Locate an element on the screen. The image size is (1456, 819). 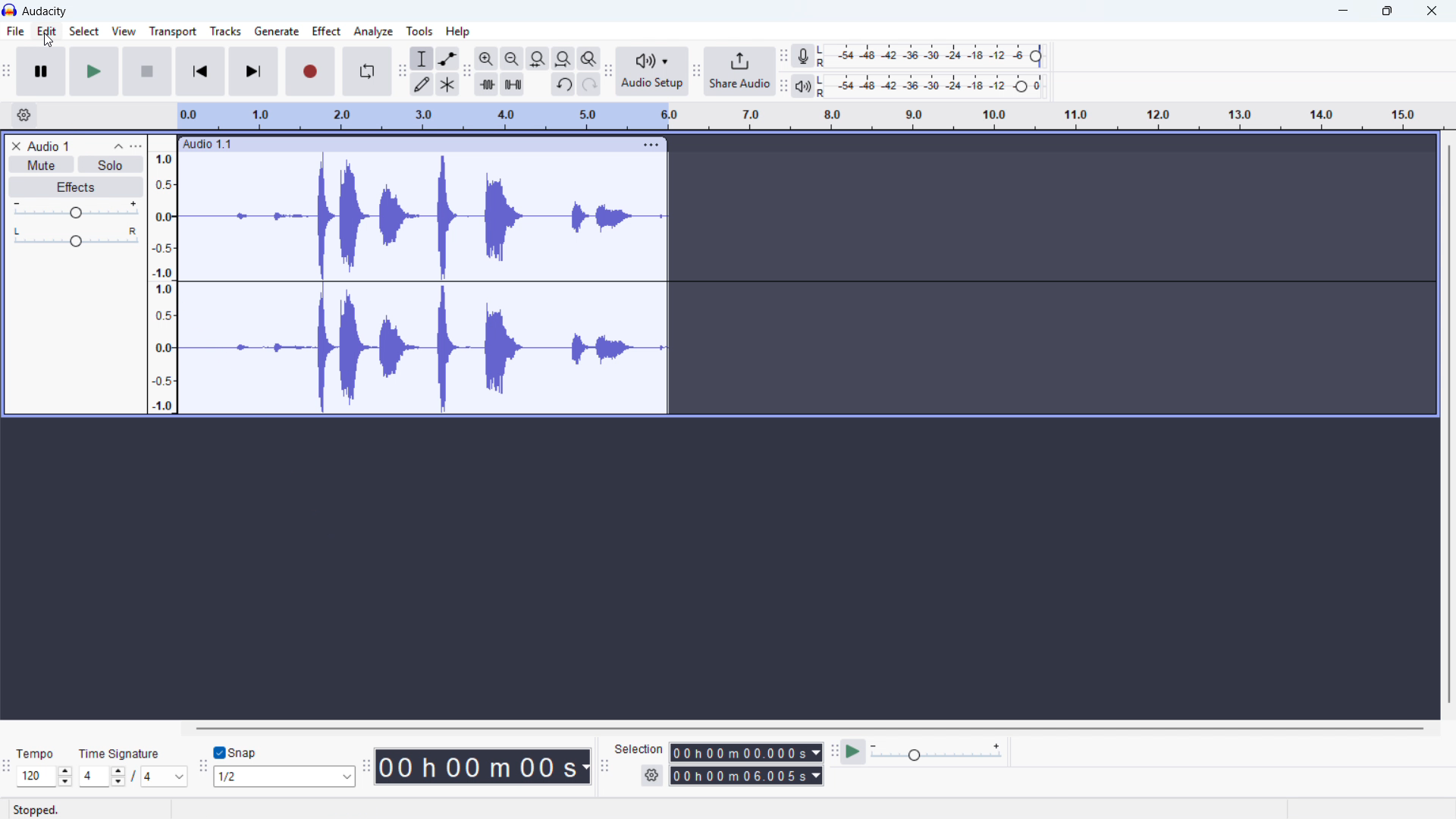
timeline settings is located at coordinates (24, 115).